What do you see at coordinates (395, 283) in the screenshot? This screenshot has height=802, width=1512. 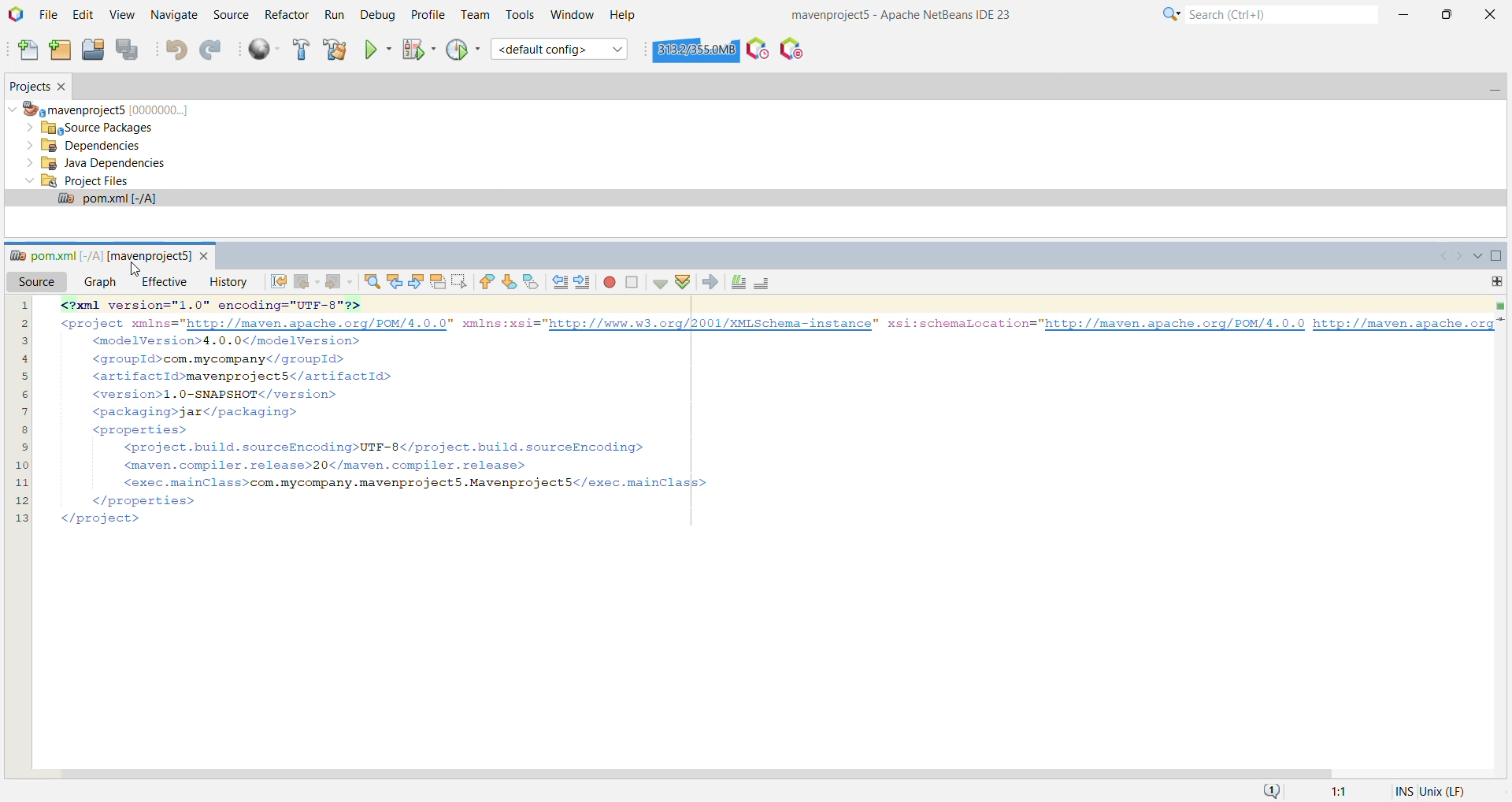 I see `Find Previous Occurrence` at bounding box center [395, 283].